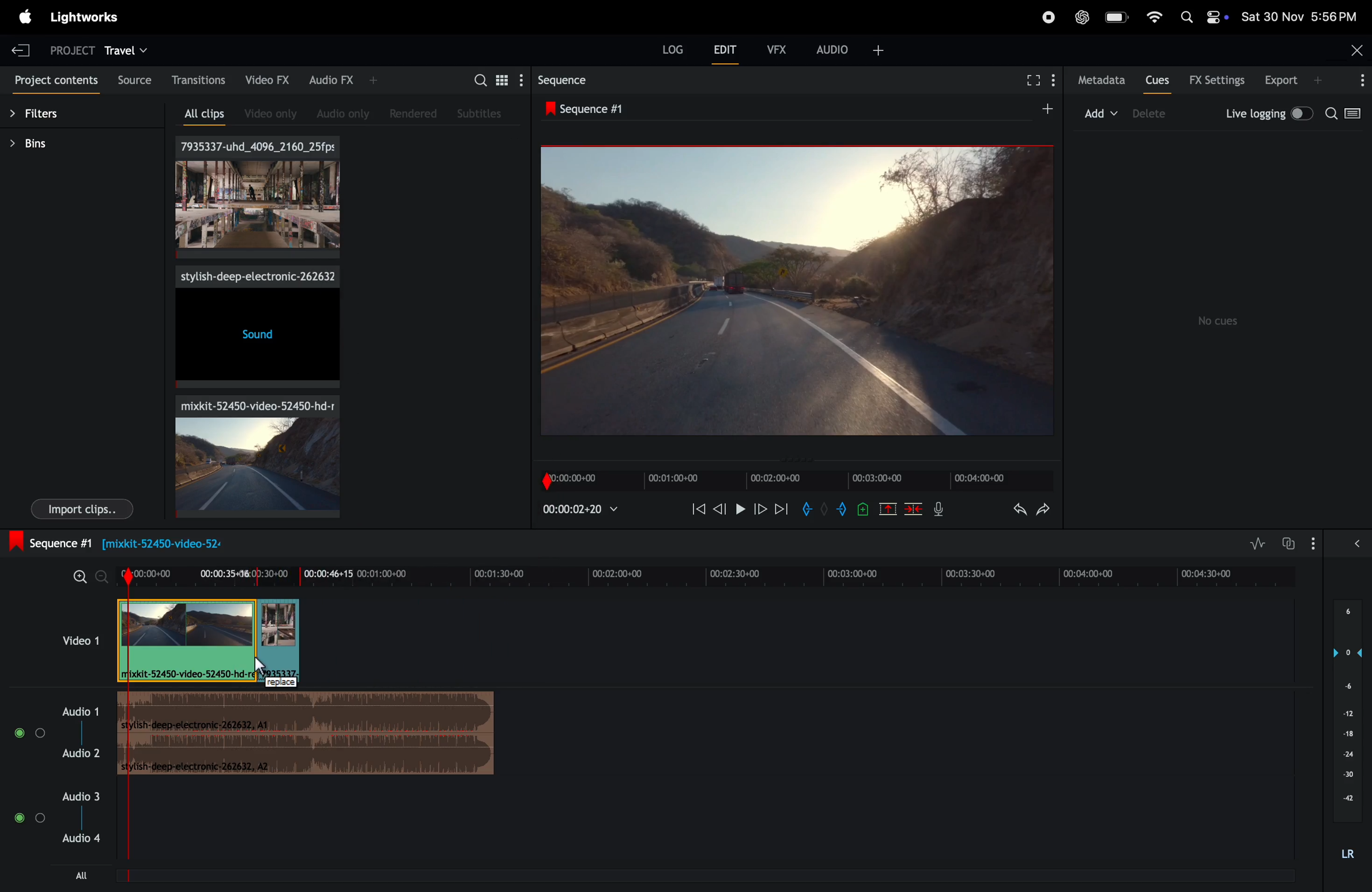 This screenshot has width=1372, height=892. I want to click on video 1, so click(77, 639).